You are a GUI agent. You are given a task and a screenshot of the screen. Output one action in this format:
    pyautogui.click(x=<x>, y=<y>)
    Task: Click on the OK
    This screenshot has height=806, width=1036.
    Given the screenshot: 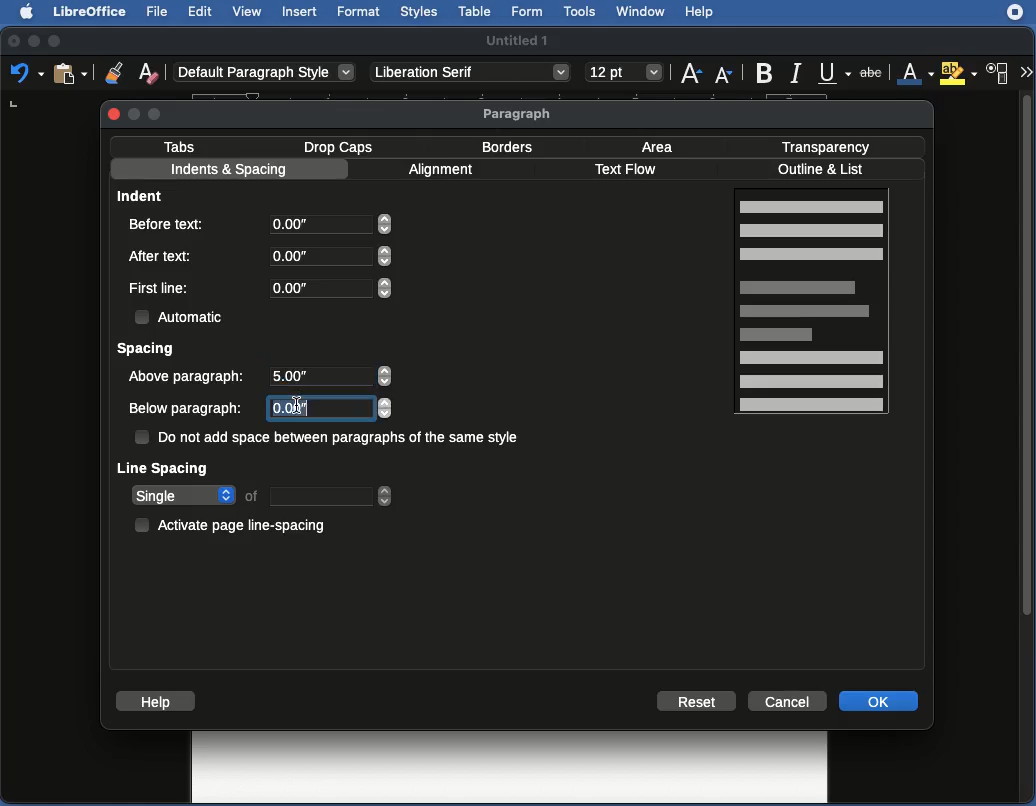 What is the action you would take?
    pyautogui.click(x=881, y=701)
    